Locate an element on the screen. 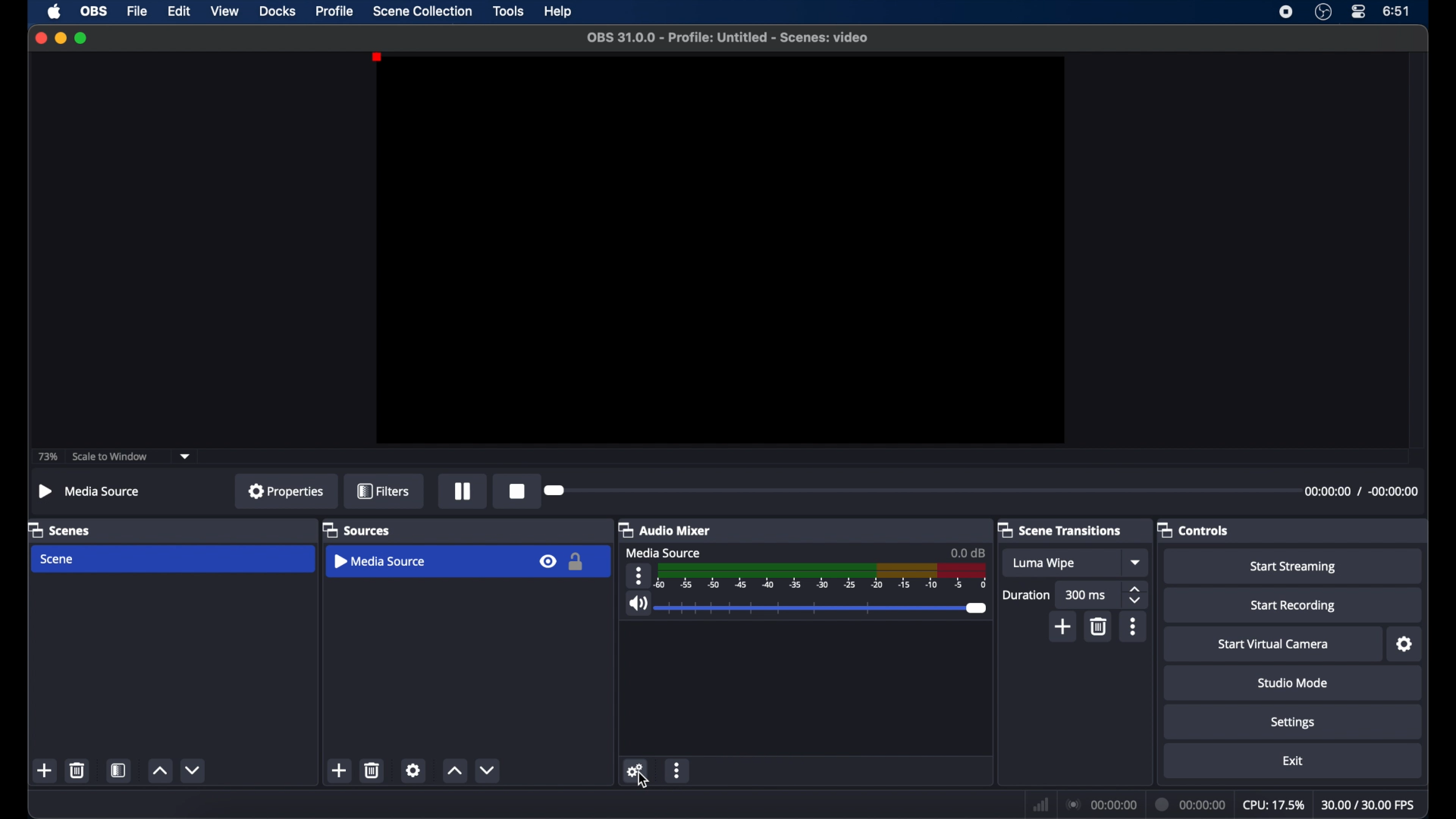 This screenshot has height=819, width=1456. decrement is located at coordinates (490, 770).